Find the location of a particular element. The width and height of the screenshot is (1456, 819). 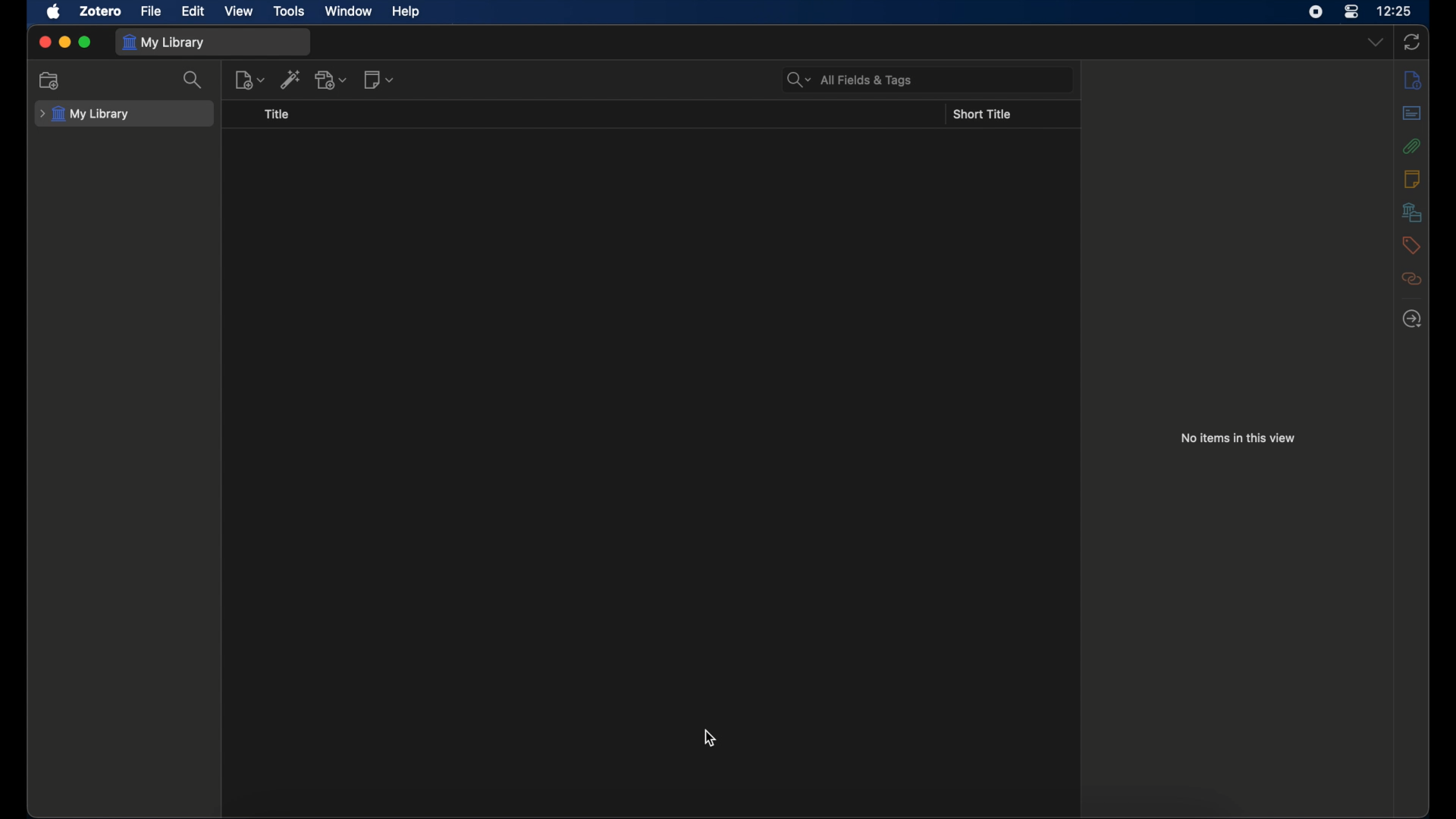

window is located at coordinates (349, 11).